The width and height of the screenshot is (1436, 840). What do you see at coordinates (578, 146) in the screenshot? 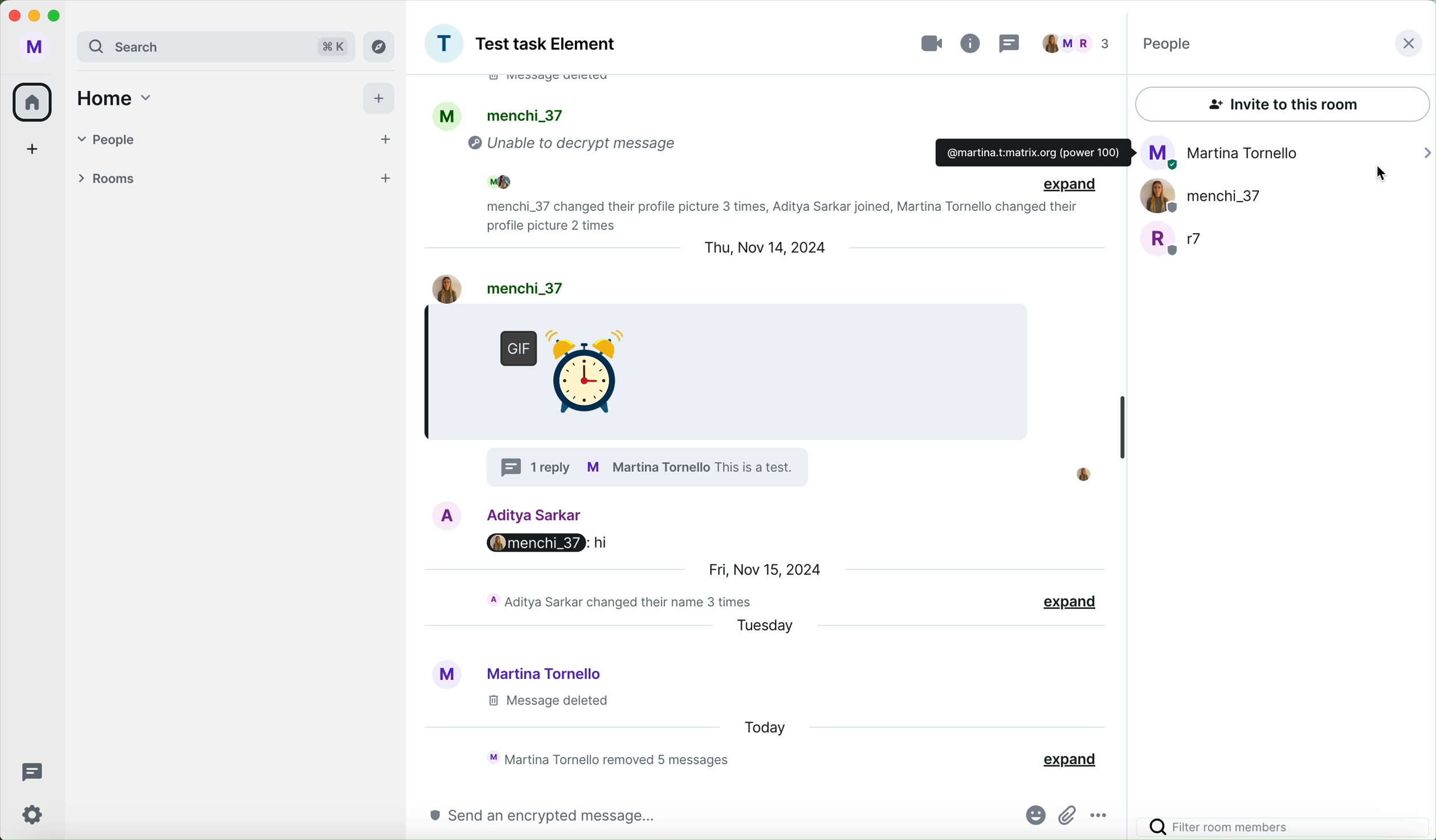
I see `unable to decrypt message` at bounding box center [578, 146].